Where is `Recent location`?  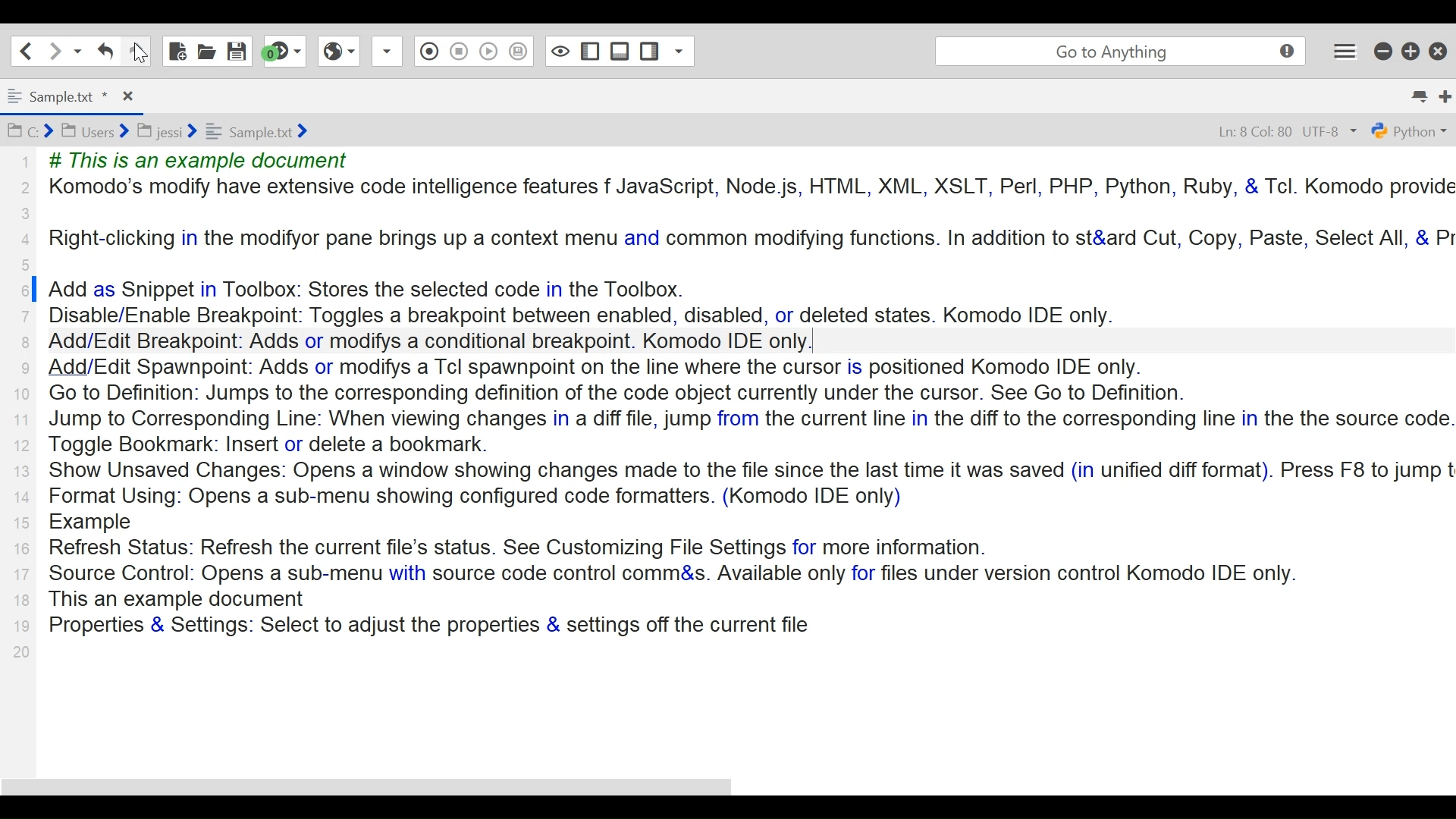 Recent location is located at coordinates (76, 50).